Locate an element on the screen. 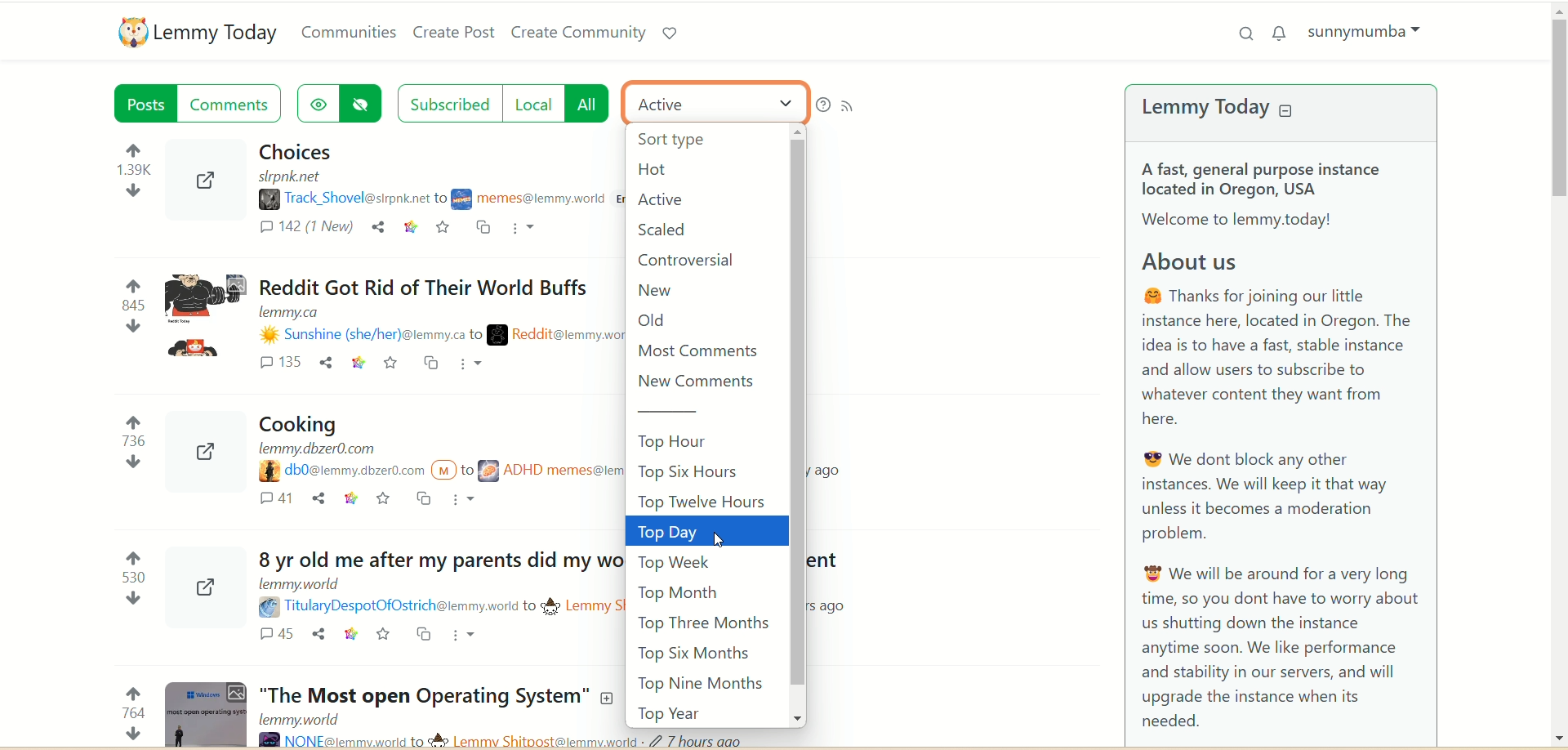 The image size is (1568, 750). hide posts is located at coordinates (367, 104).